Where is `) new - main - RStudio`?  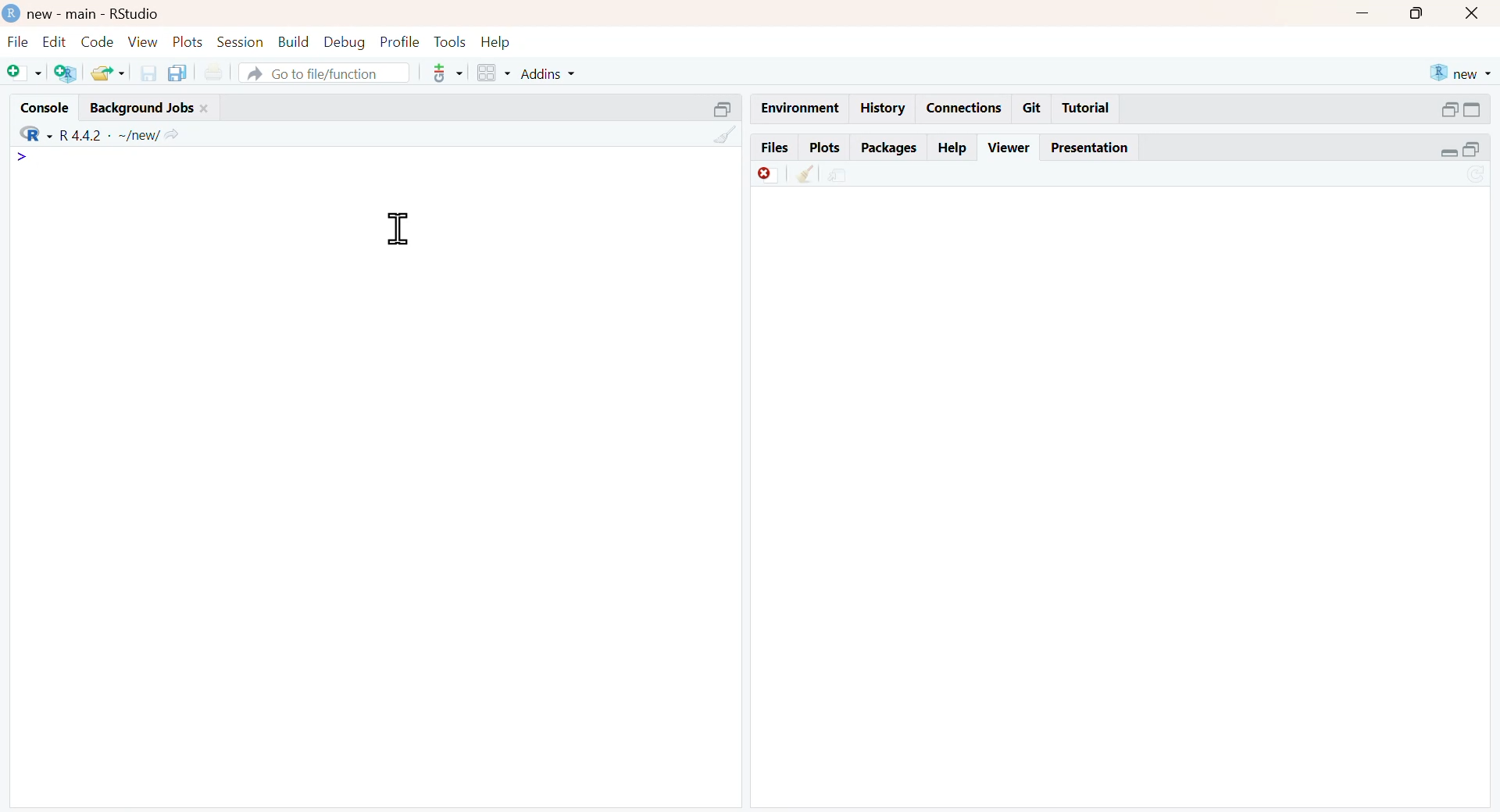
) new - main - RStudio is located at coordinates (114, 13).